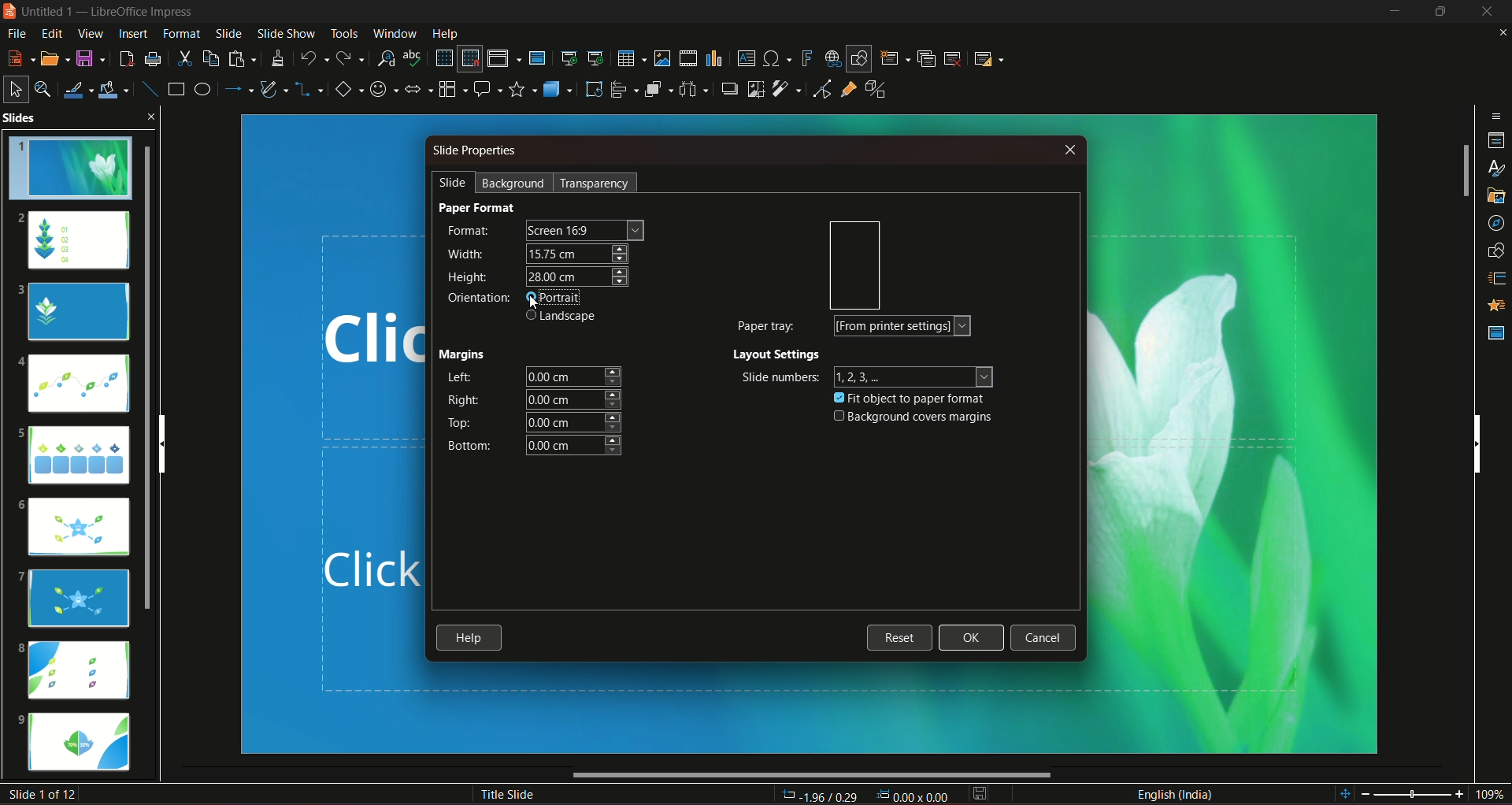 The height and width of the screenshot is (805, 1512). I want to click on slide, so click(228, 33).